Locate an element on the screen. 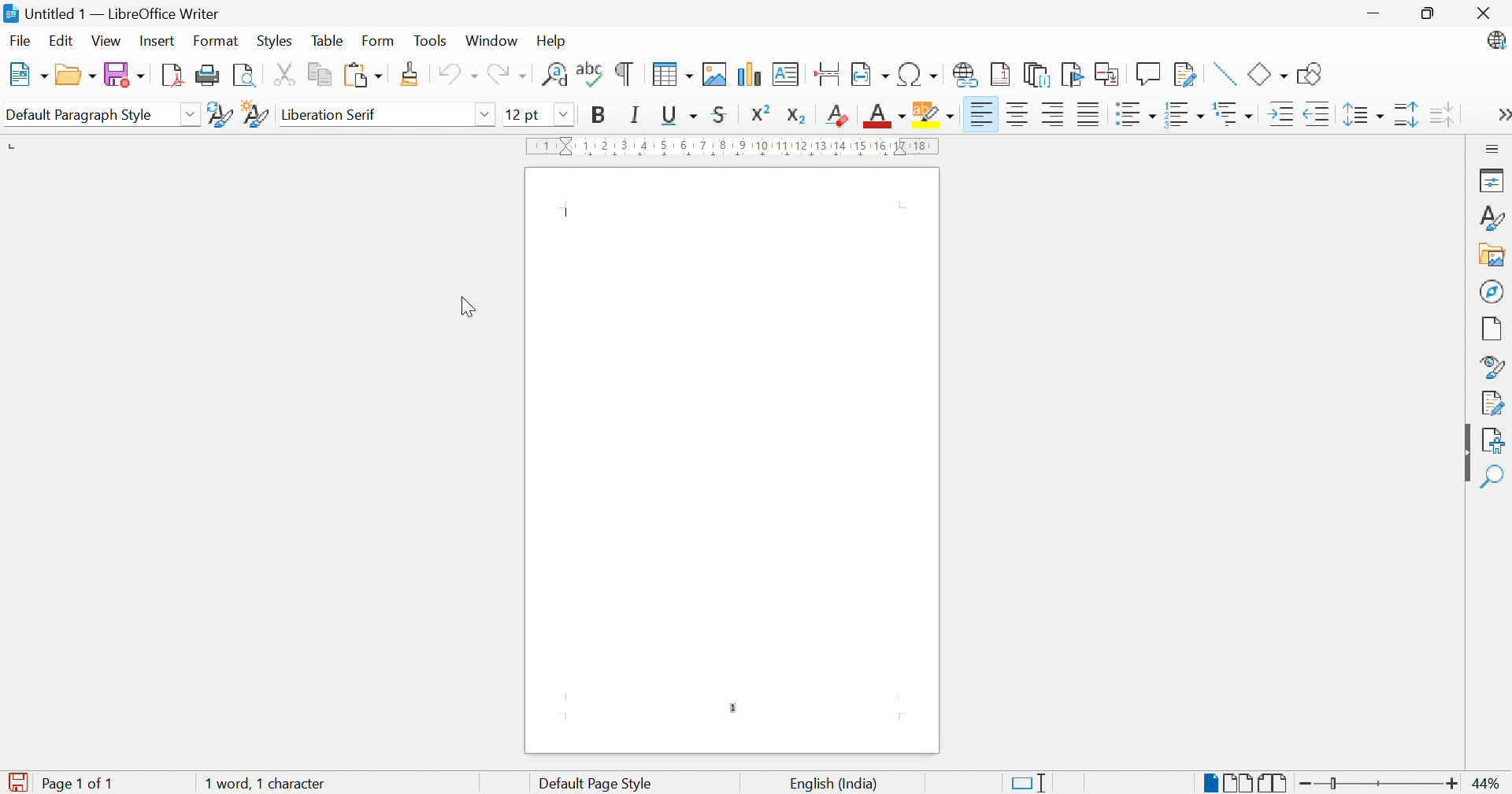 The height and width of the screenshot is (794, 1512). Clear direct formatting is located at coordinates (835, 115).